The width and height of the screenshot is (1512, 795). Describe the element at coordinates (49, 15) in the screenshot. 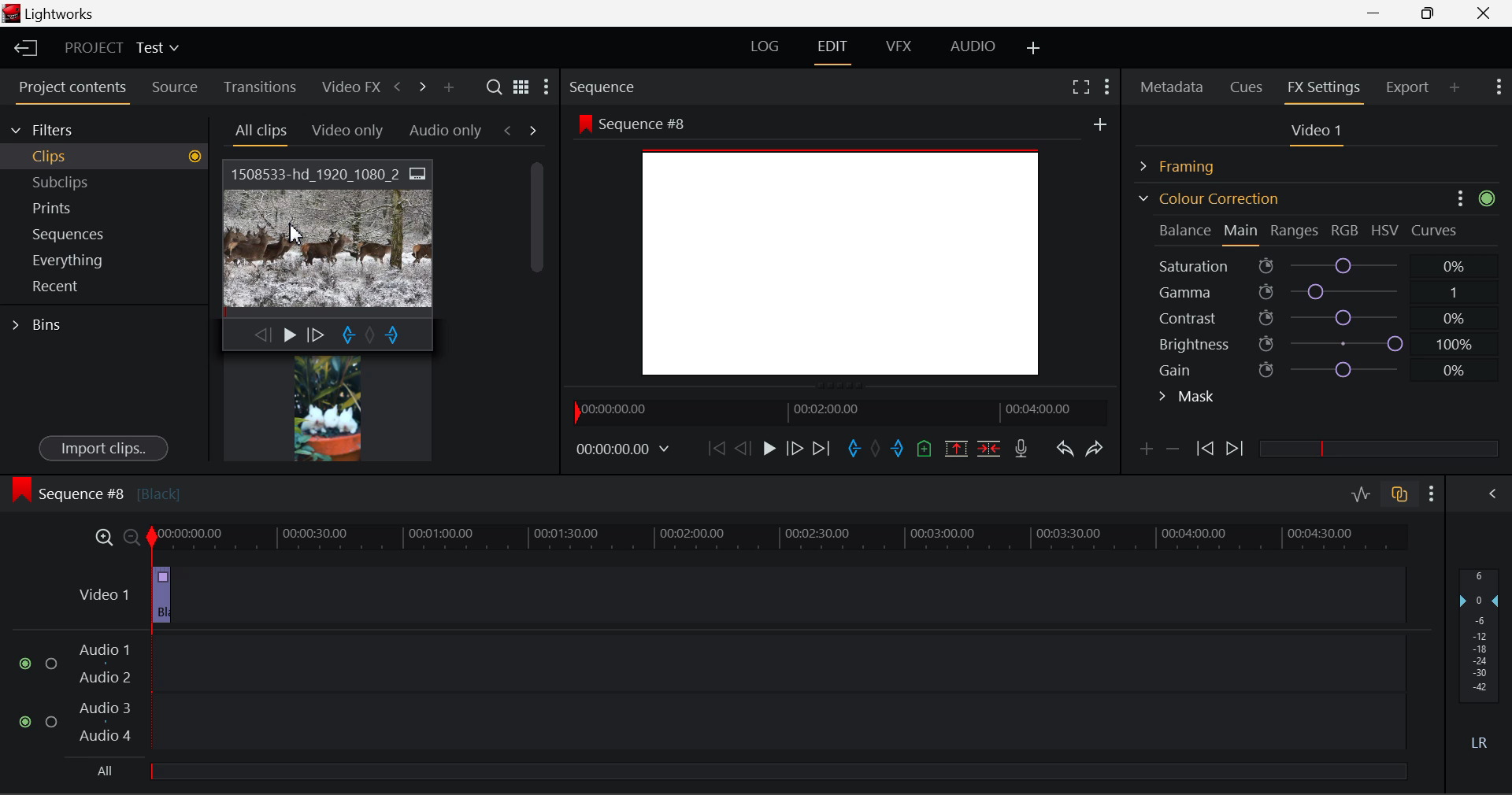

I see `Window Title` at that location.